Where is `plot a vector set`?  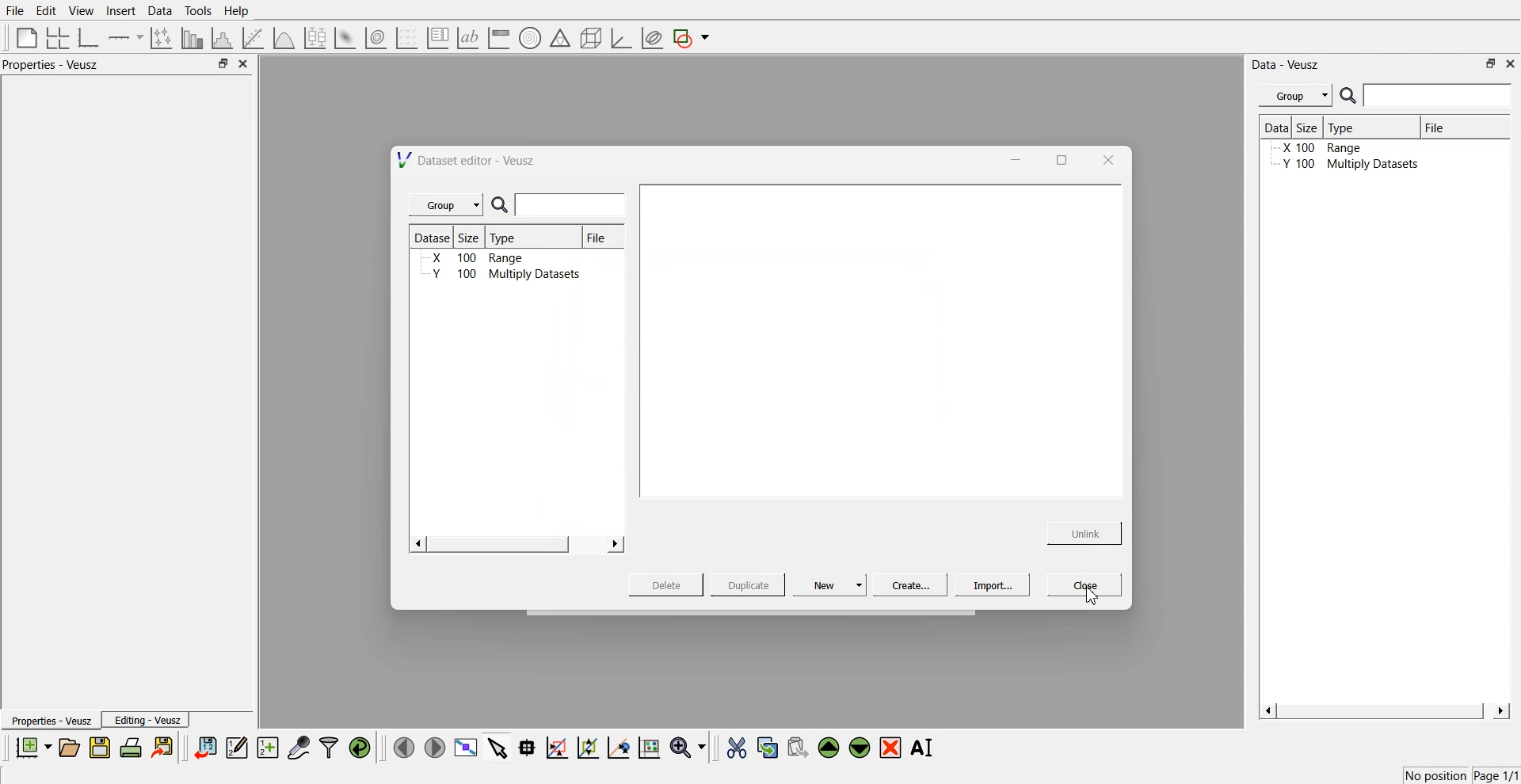
plot a vector set is located at coordinates (408, 38).